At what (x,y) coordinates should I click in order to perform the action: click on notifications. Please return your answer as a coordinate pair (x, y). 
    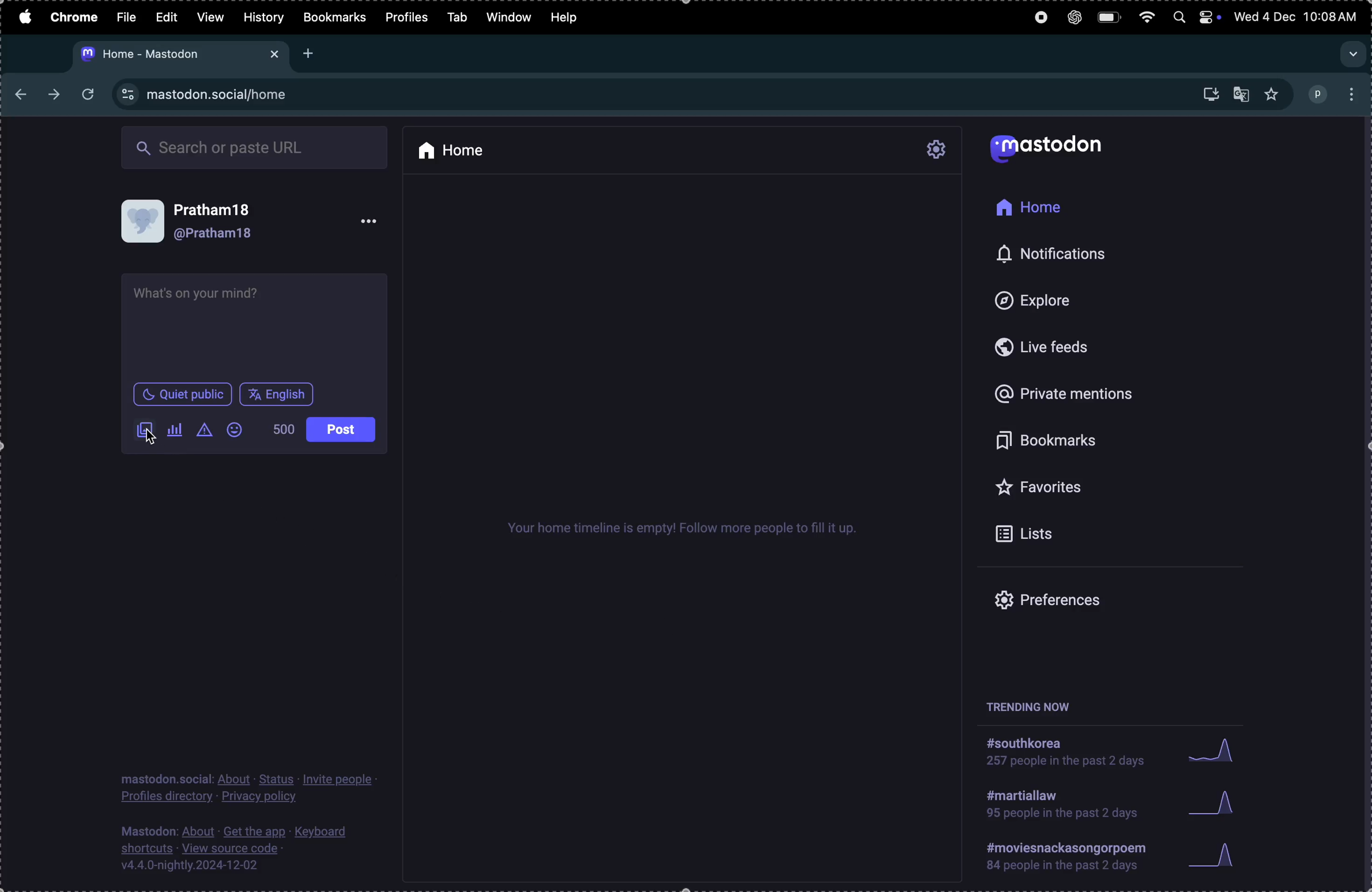
    Looking at the image, I should click on (1041, 254).